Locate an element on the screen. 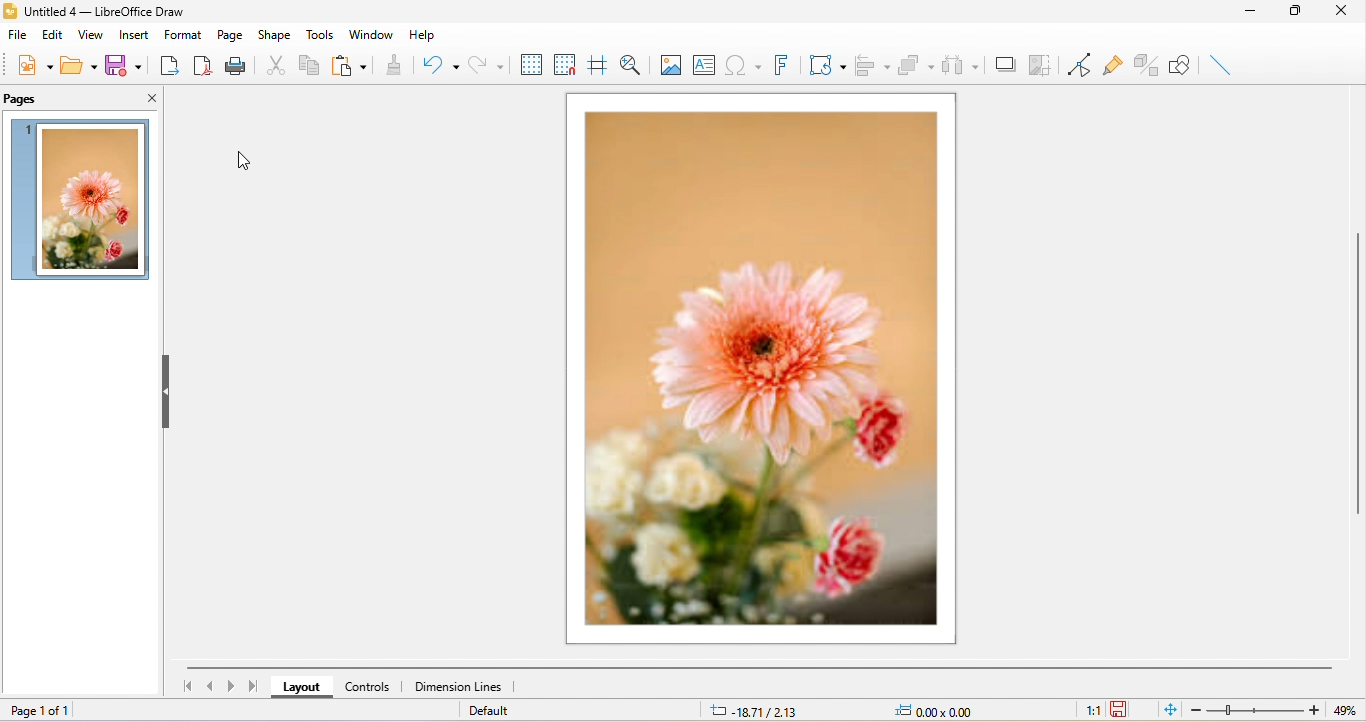 This screenshot has height=722, width=1366. next page is located at coordinates (228, 688).